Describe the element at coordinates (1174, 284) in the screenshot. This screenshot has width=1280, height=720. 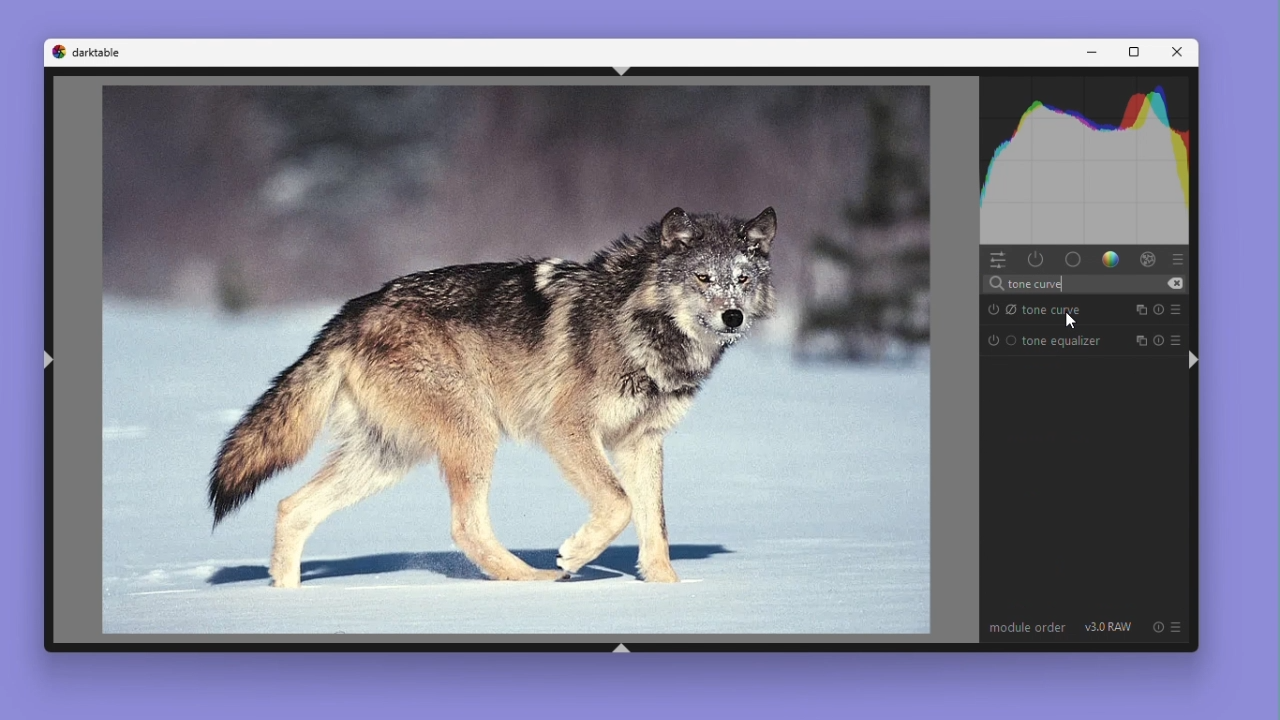
I see `erase` at that location.